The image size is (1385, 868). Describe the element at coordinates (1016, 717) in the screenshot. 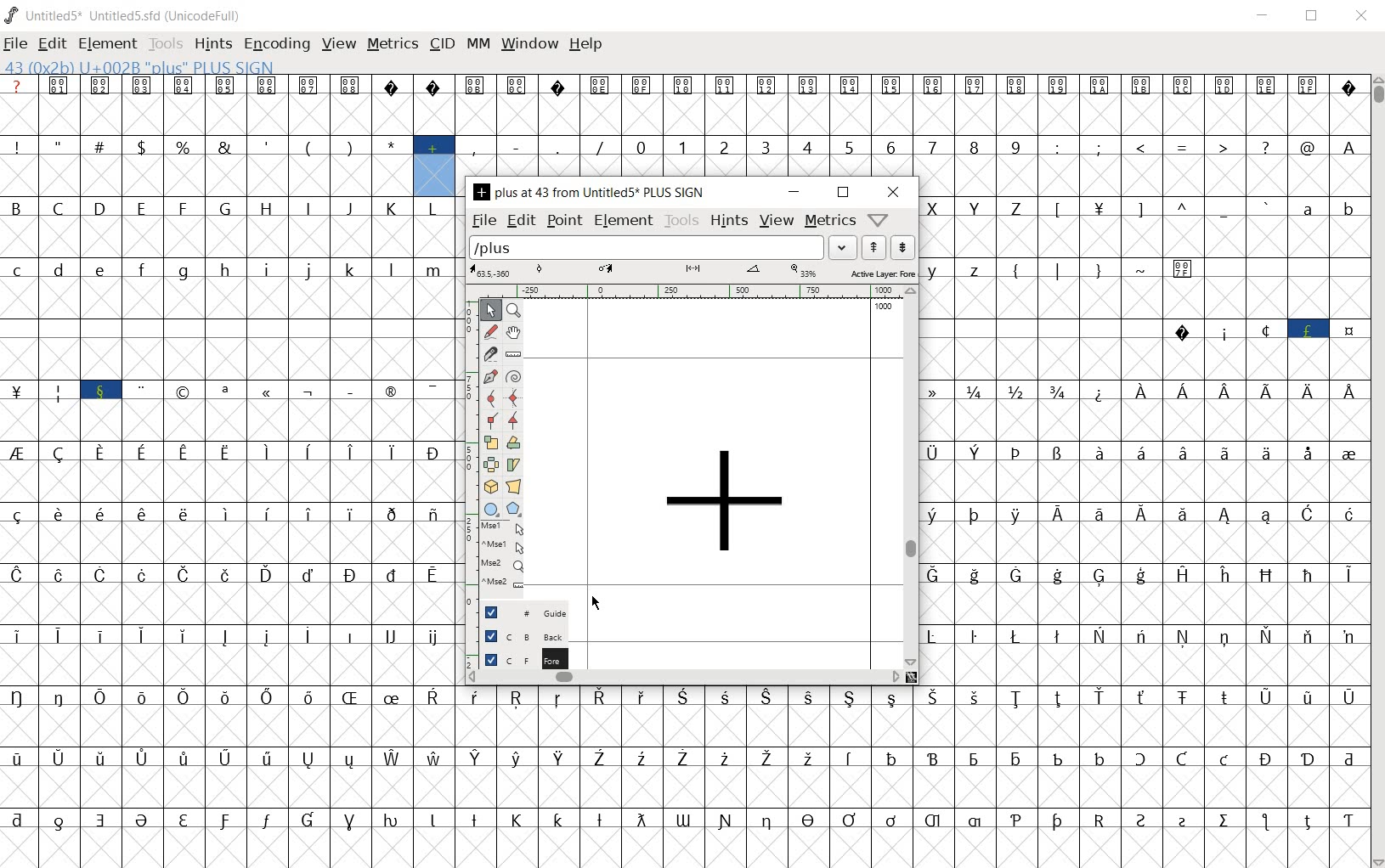

I see `` at that location.